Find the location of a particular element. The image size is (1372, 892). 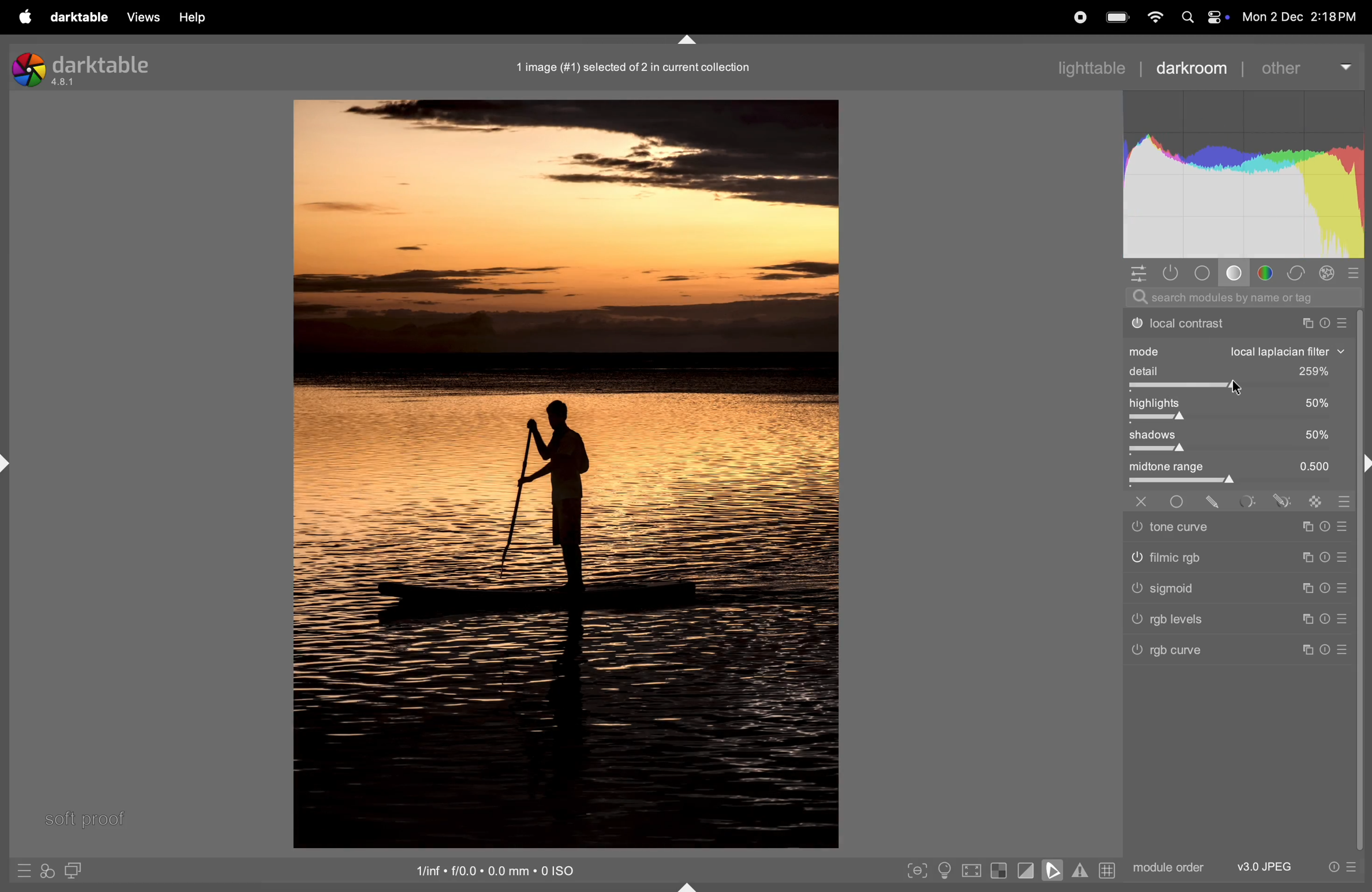

help is located at coordinates (198, 17).